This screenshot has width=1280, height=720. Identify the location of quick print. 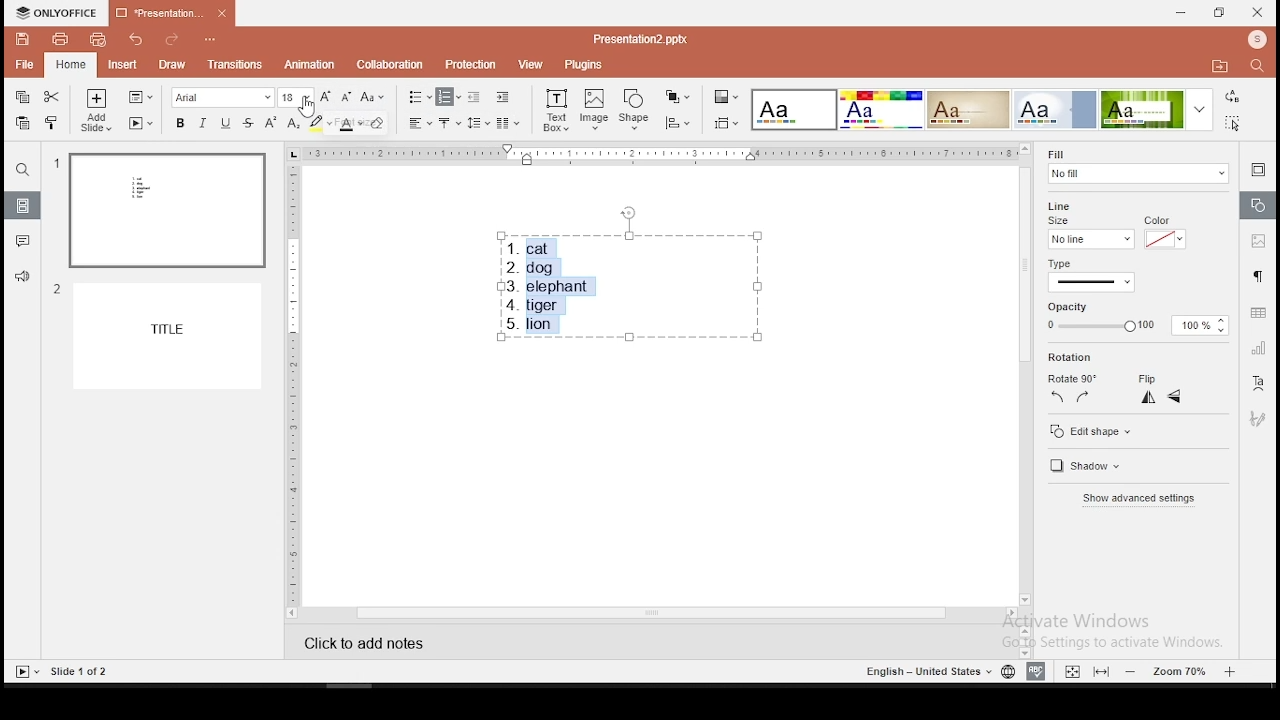
(98, 39).